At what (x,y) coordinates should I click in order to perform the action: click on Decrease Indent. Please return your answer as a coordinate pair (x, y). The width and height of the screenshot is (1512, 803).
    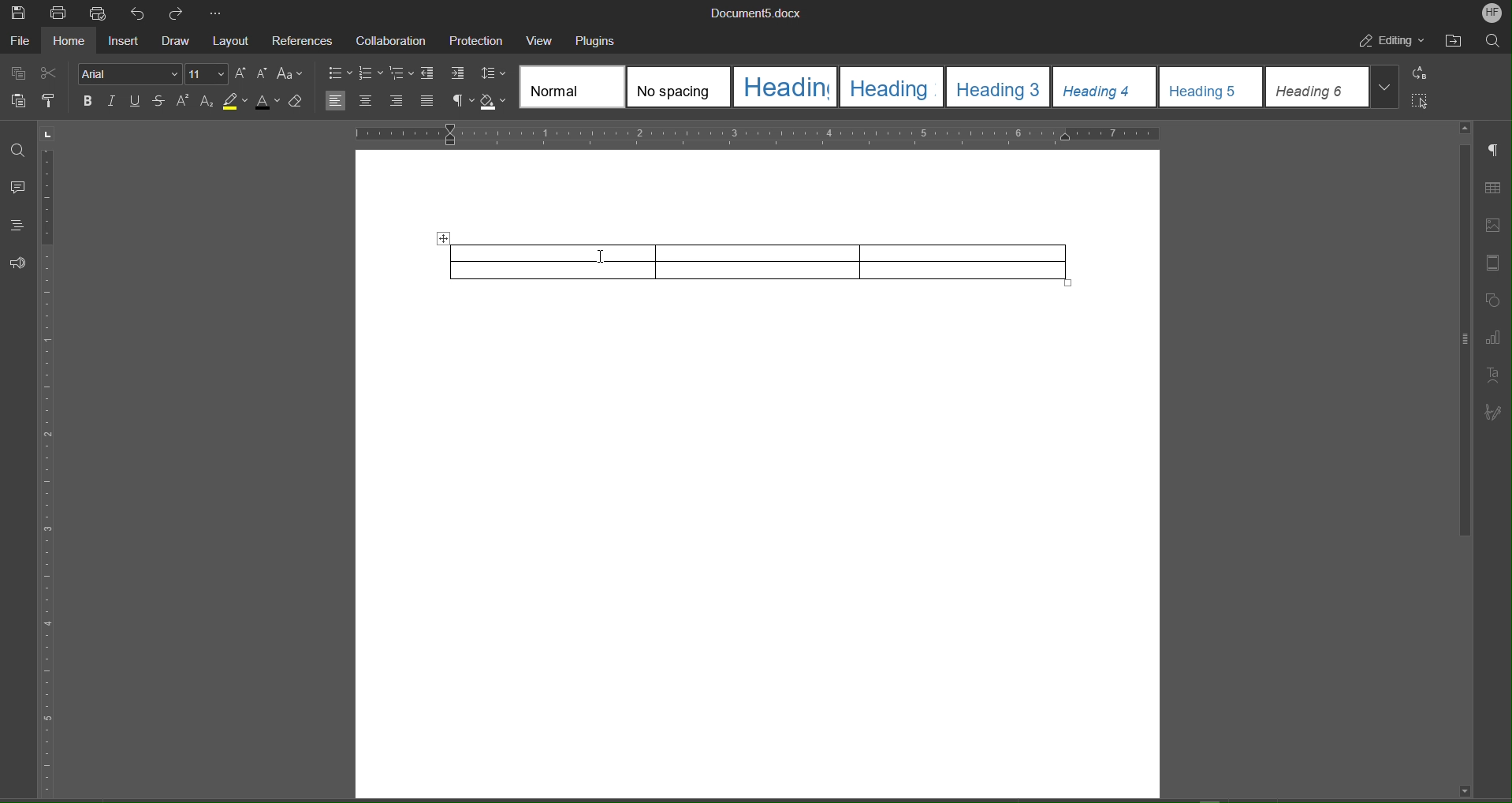
    Looking at the image, I should click on (430, 74).